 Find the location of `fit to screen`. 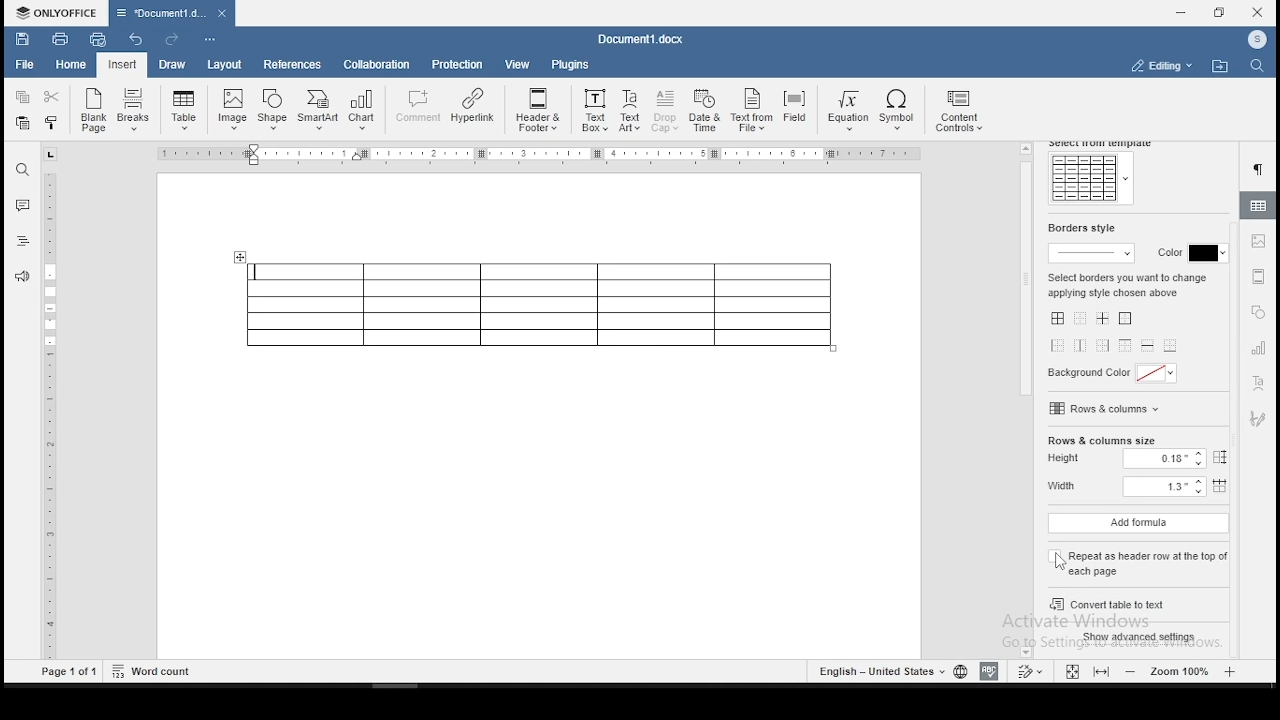

fit to screen is located at coordinates (1100, 672).